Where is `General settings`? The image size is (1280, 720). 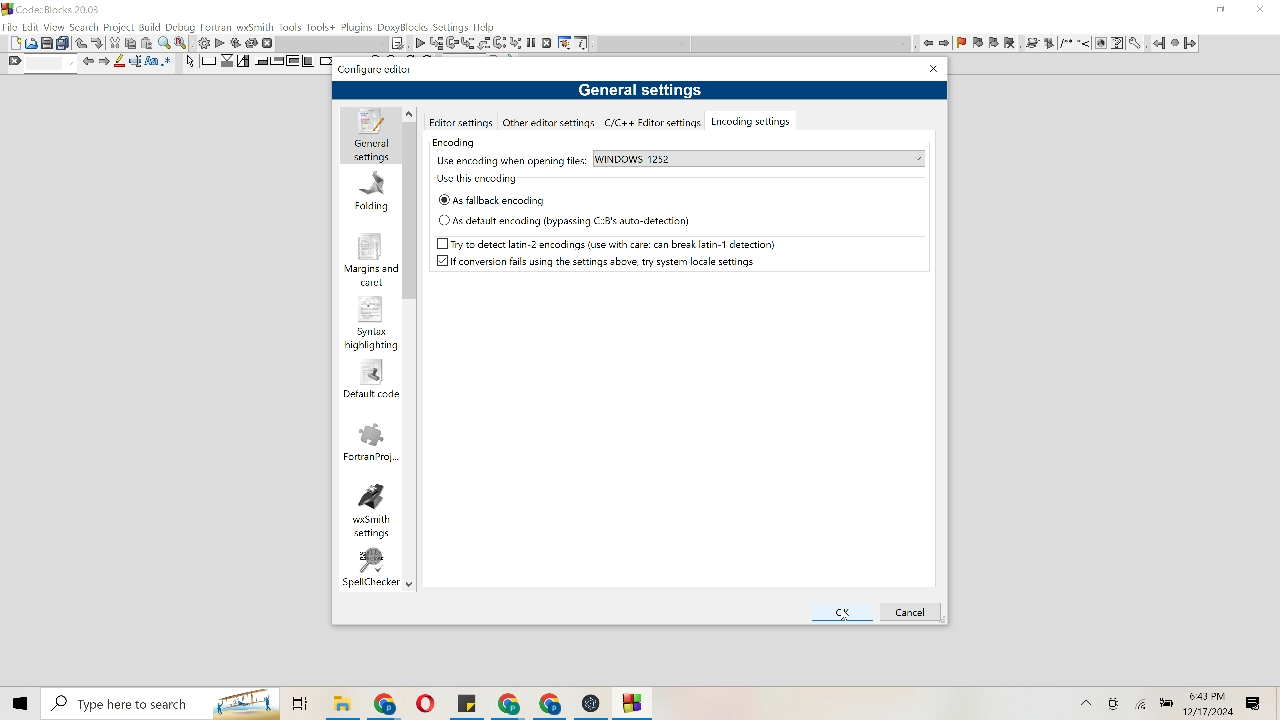 General settings is located at coordinates (644, 91).